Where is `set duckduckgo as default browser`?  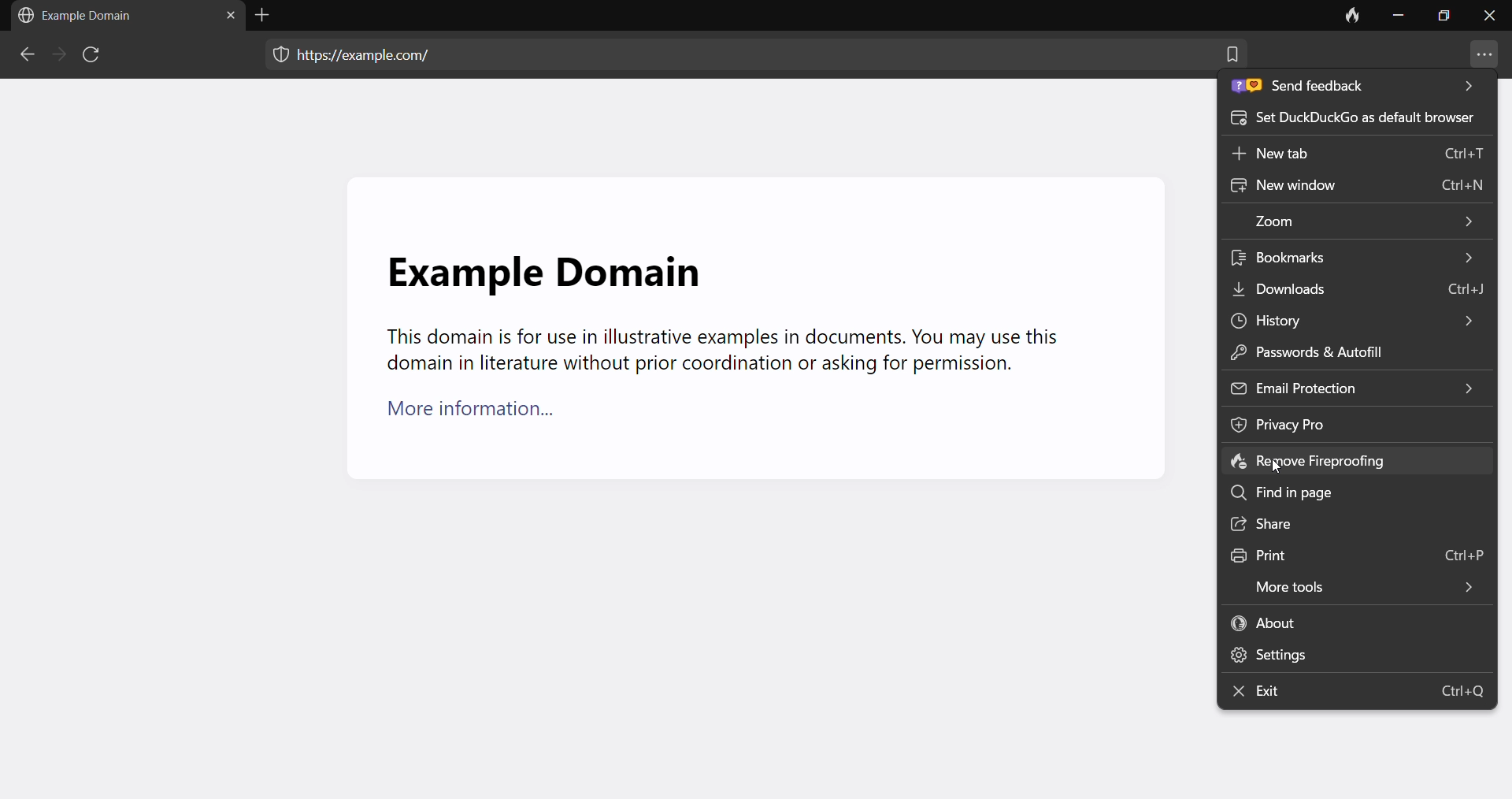
set duckduckgo as default browser is located at coordinates (1354, 123).